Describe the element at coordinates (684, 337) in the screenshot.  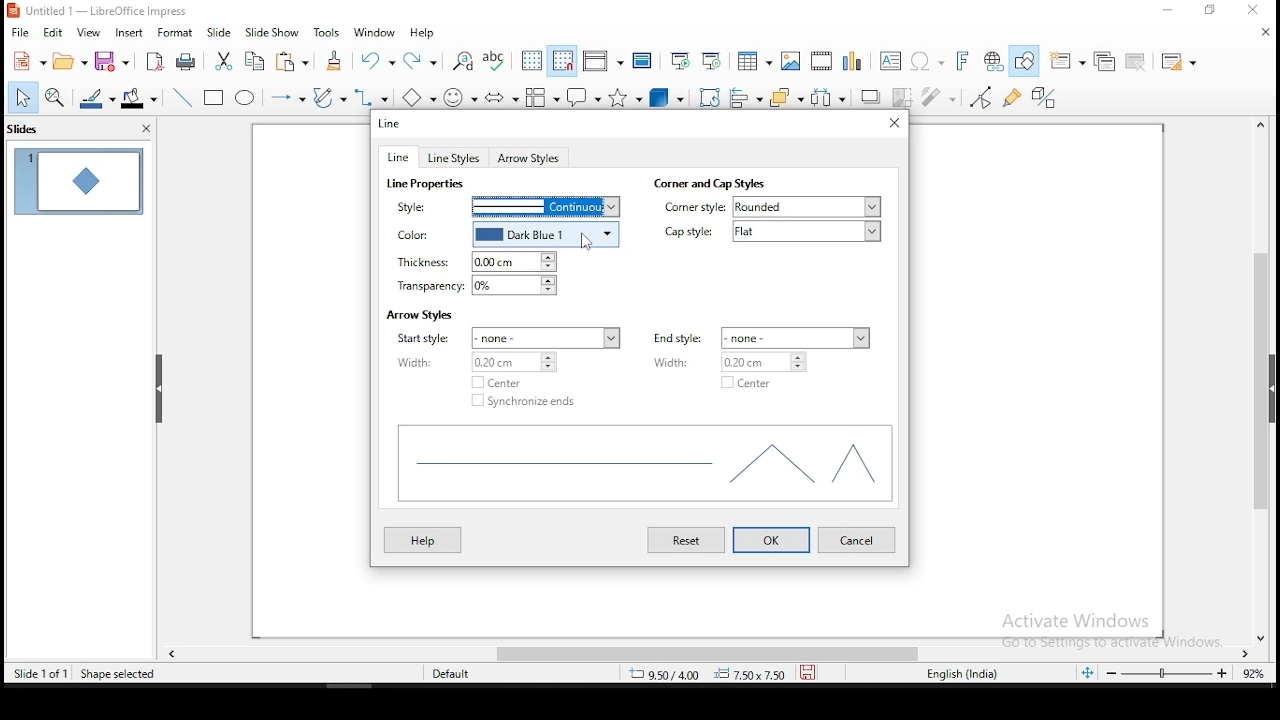
I see `end style` at that location.